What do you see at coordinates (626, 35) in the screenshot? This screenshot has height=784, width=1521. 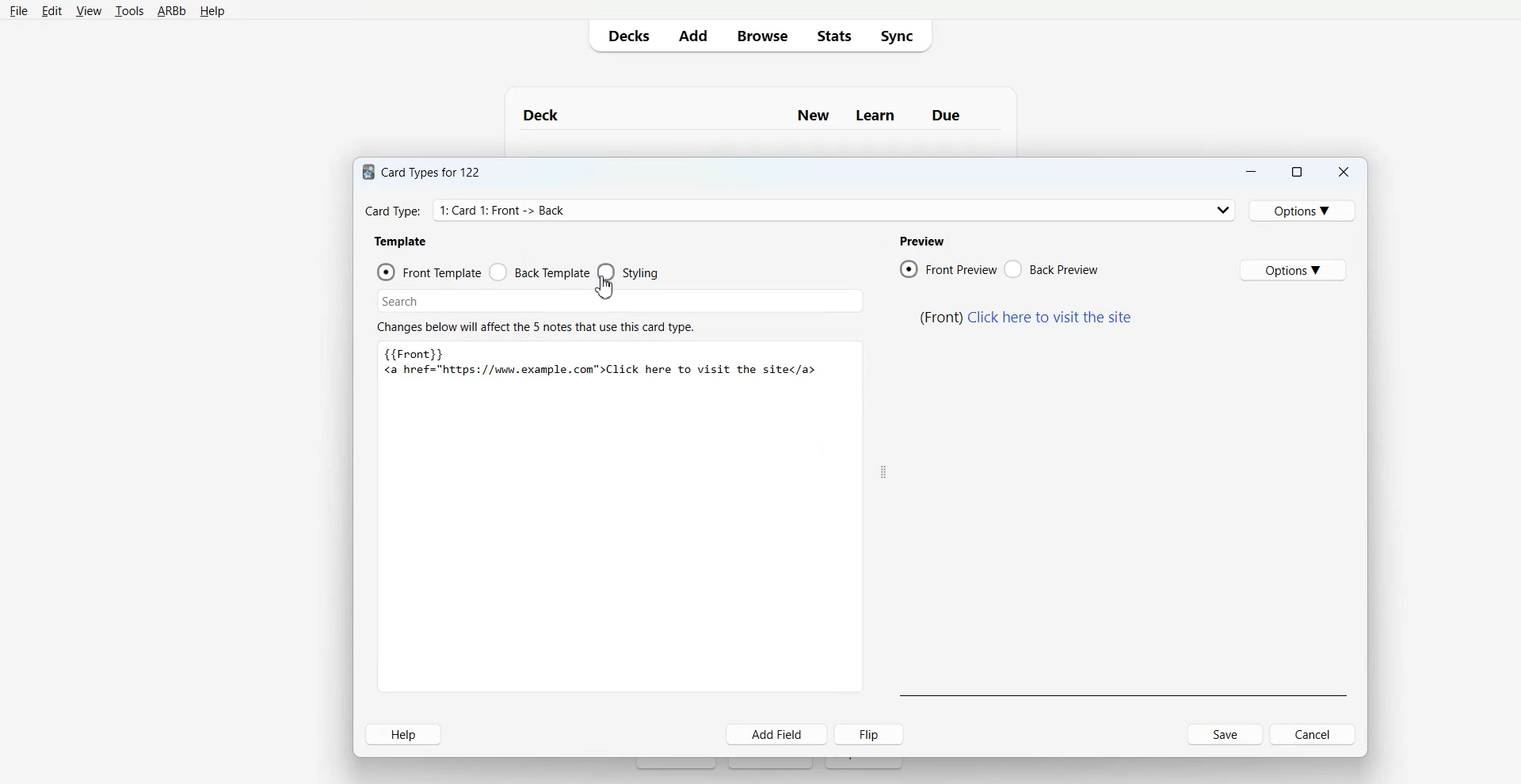 I see `Decks ` at bounding box center [626, 35].